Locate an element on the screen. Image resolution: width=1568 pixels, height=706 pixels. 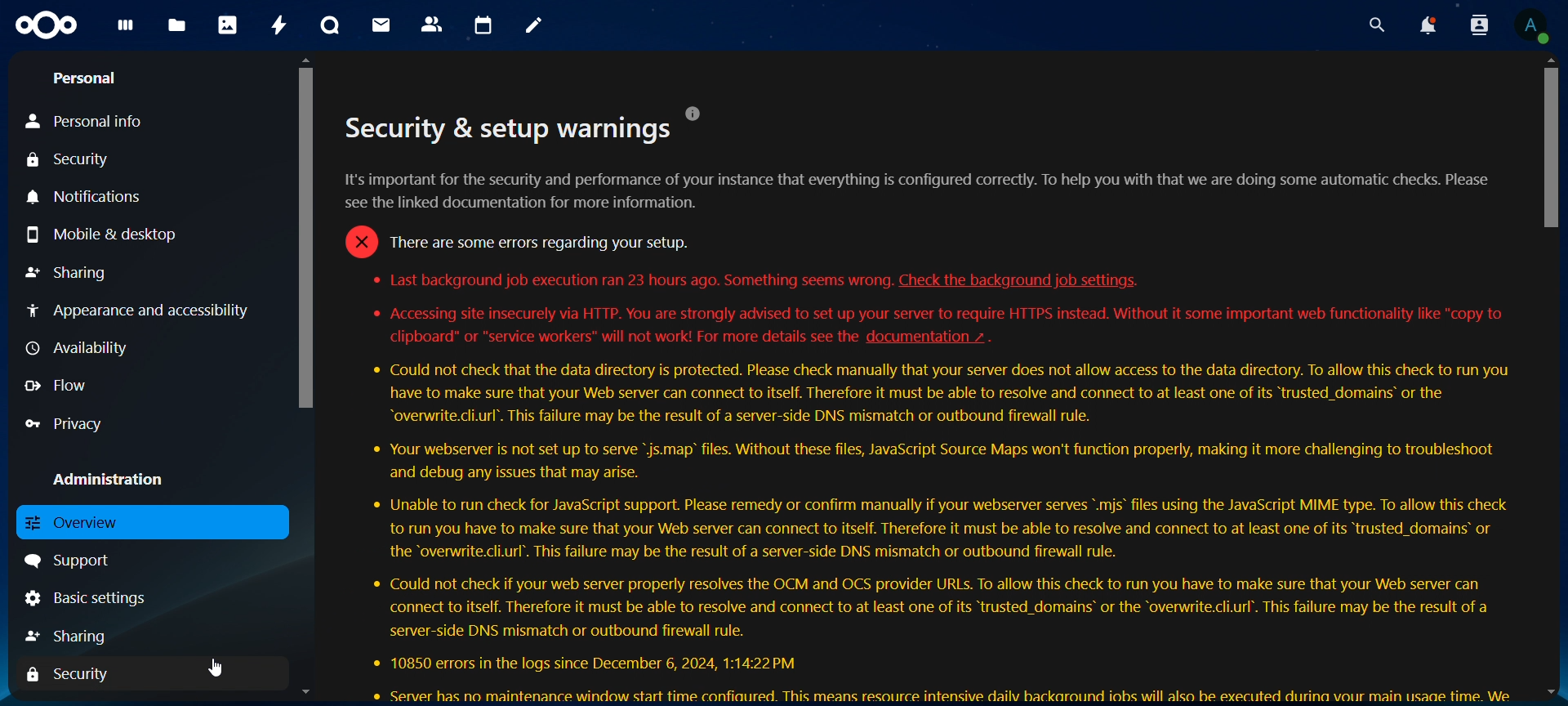
sharing is located at coordinates (68, 272).